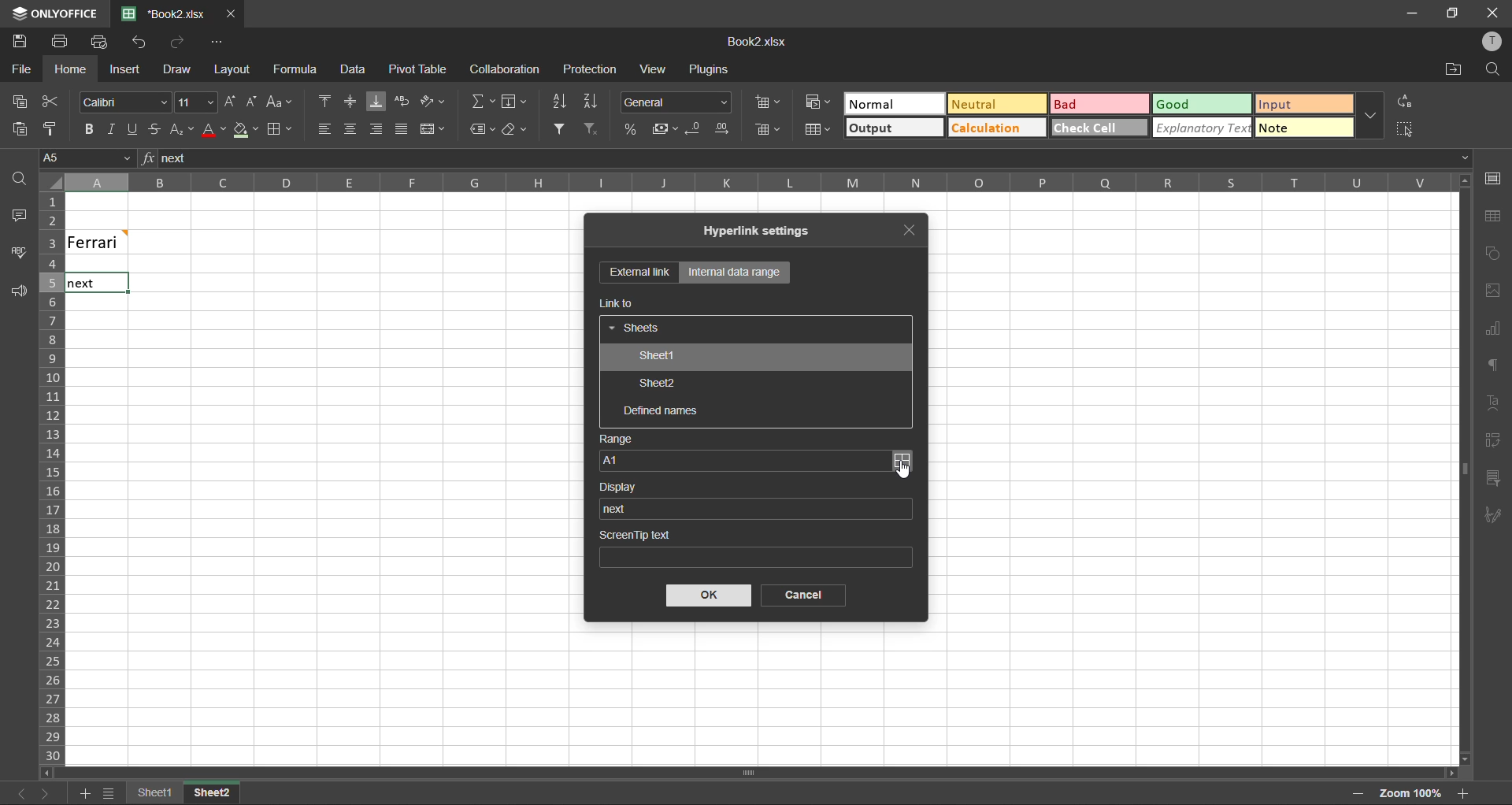 The height and width of the screenshot is (805, 1512). Describe the element at coordinates (1087, 103) in the screenshot. I see `bad` at that location.